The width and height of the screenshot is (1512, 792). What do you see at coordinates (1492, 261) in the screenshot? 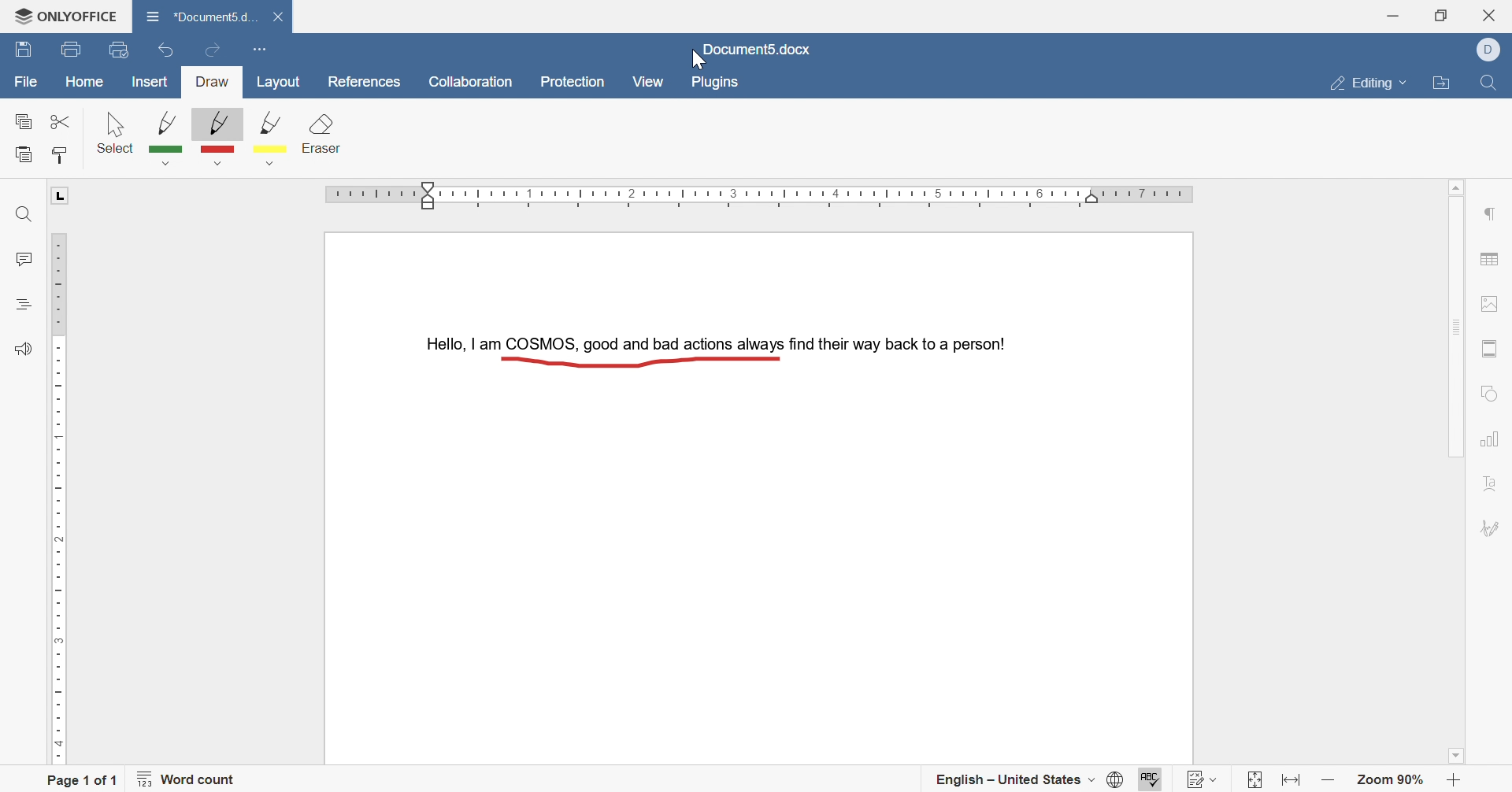
I see `table settings` at bounding box center [1492, 261].